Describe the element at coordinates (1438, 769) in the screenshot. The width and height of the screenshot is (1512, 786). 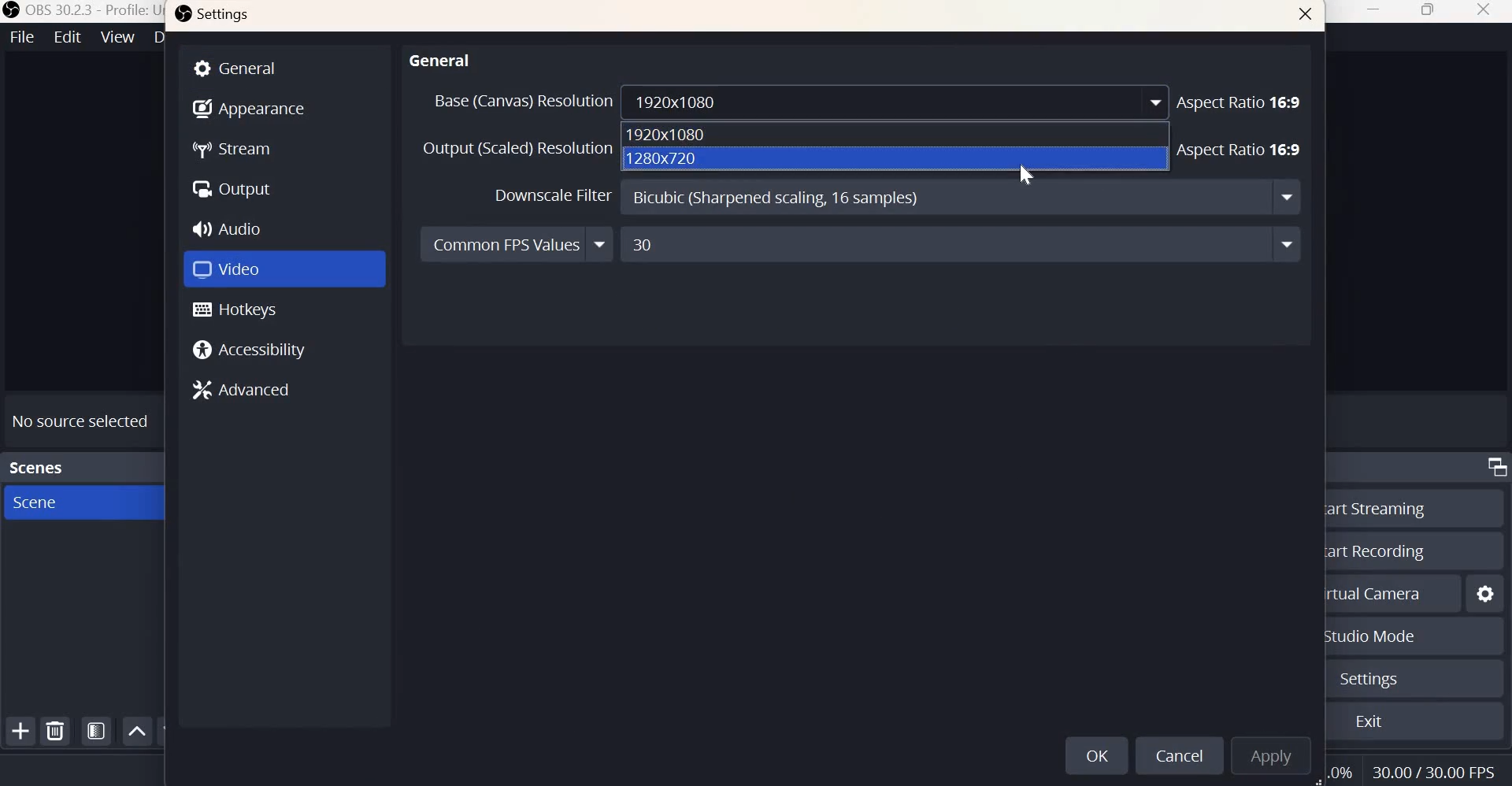
I see `Frame Rate (FPS)` at that location.